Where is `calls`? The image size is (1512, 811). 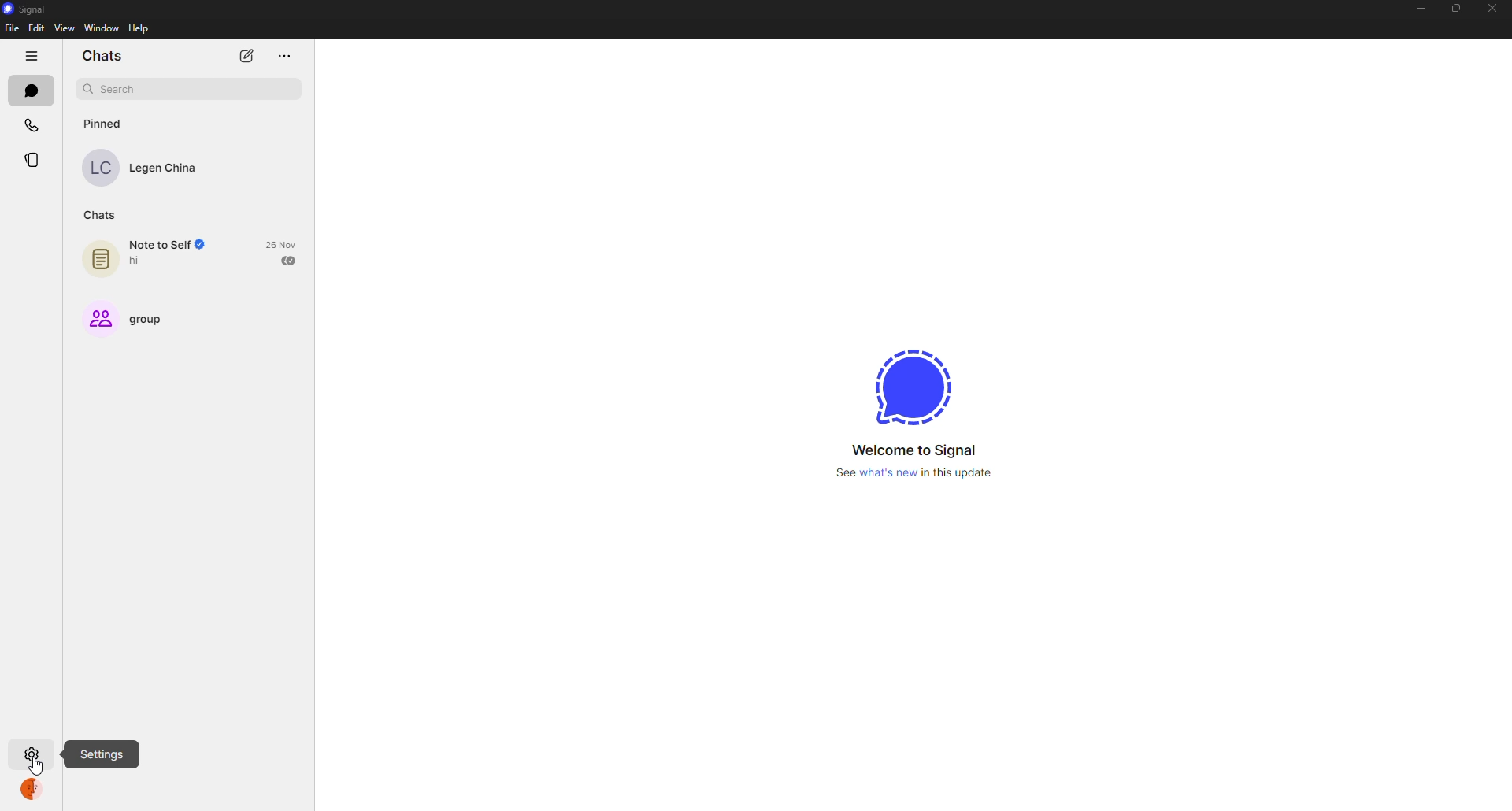 calls is located at coordinates (29, 125).